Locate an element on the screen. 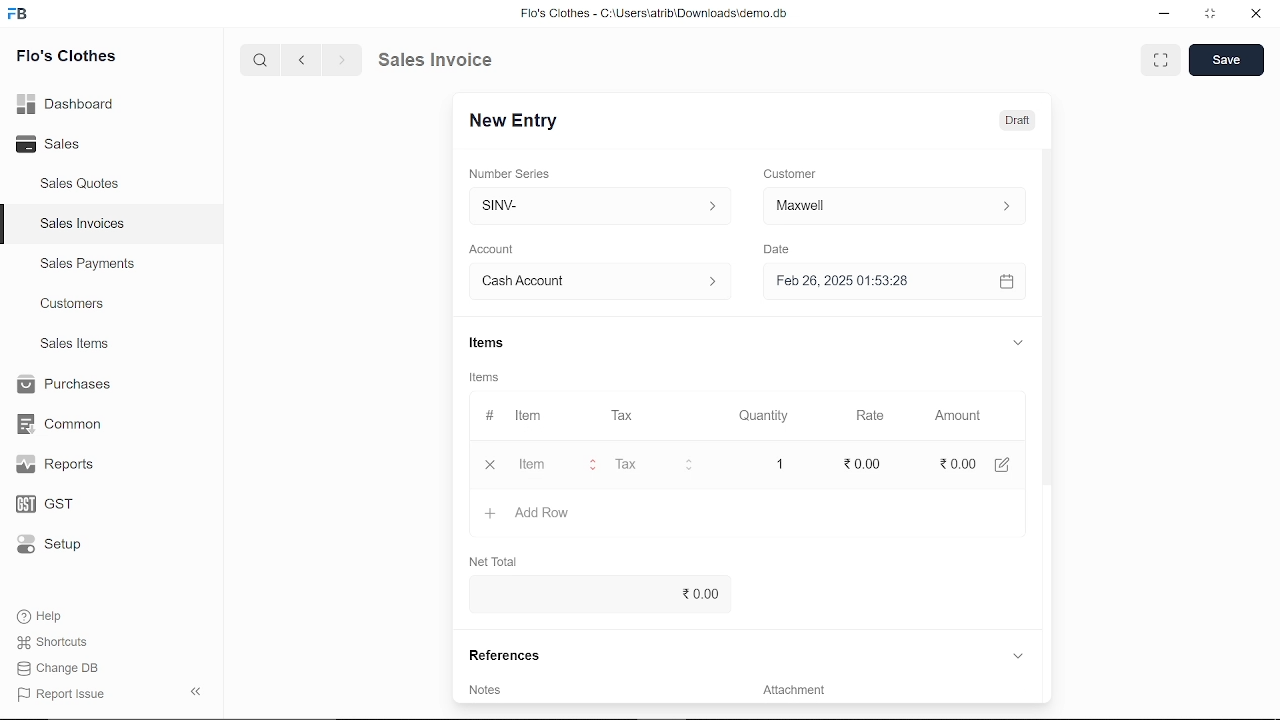  Item  is located at coordinates (555, 465).